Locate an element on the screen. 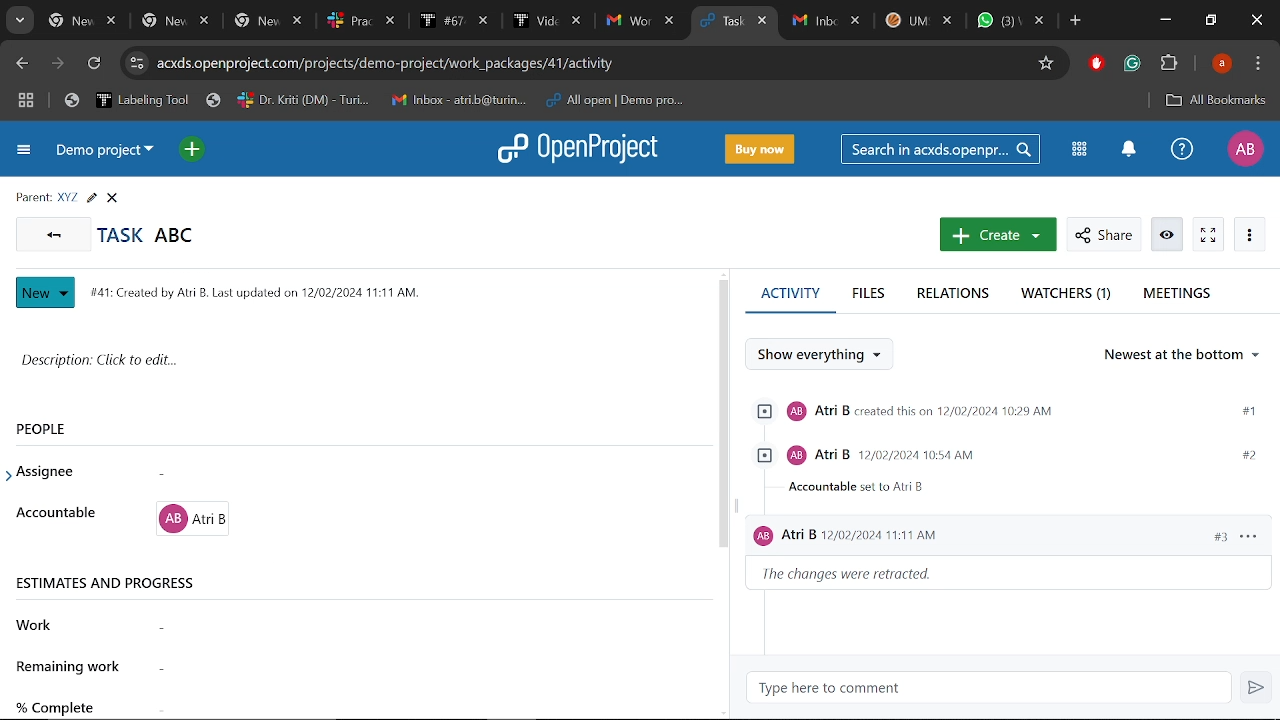  Customize and control chorme is located at coordinates (1258, 66).